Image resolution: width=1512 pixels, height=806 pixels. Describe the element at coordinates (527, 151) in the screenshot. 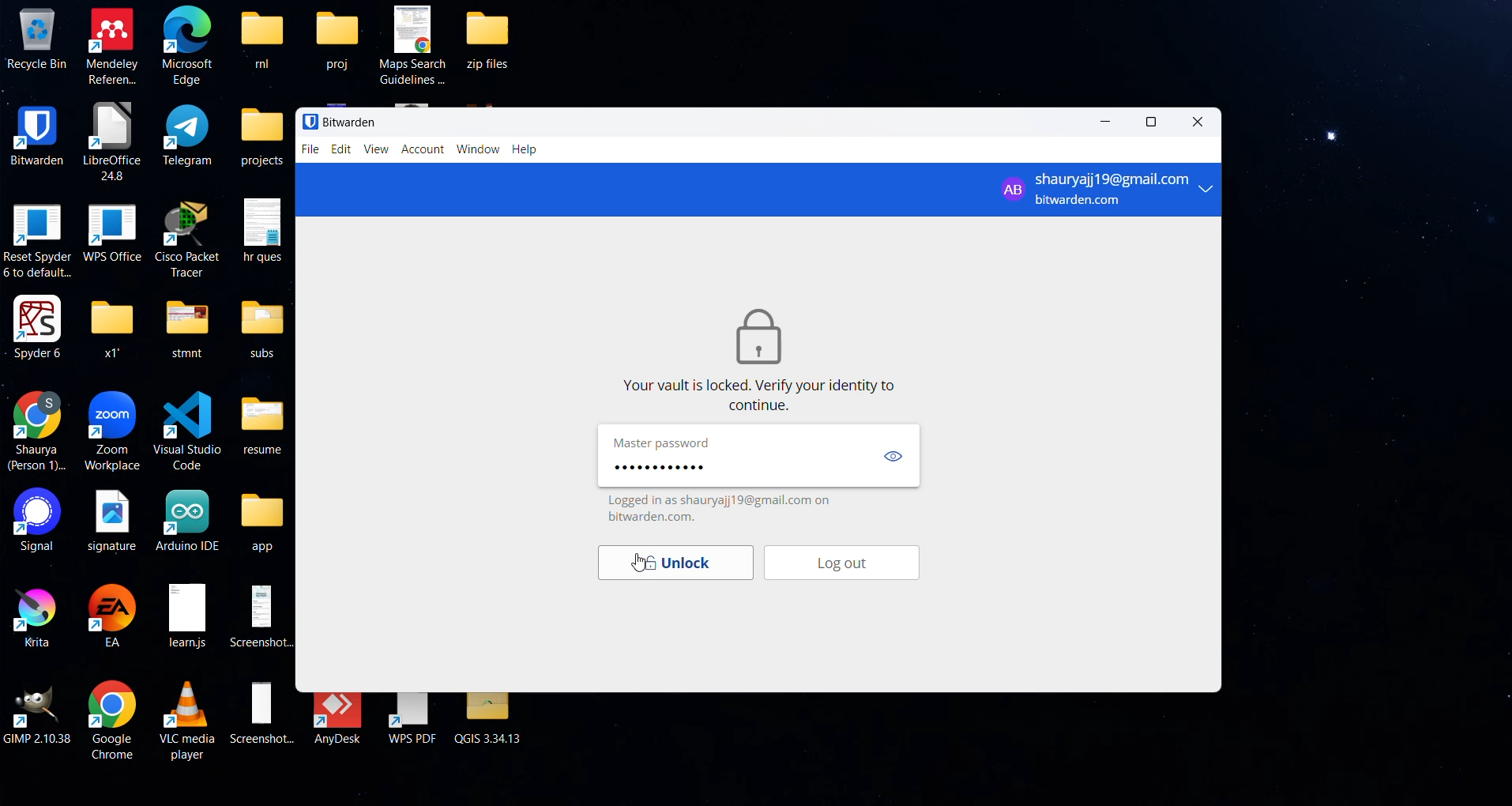

I see `help` at that location.